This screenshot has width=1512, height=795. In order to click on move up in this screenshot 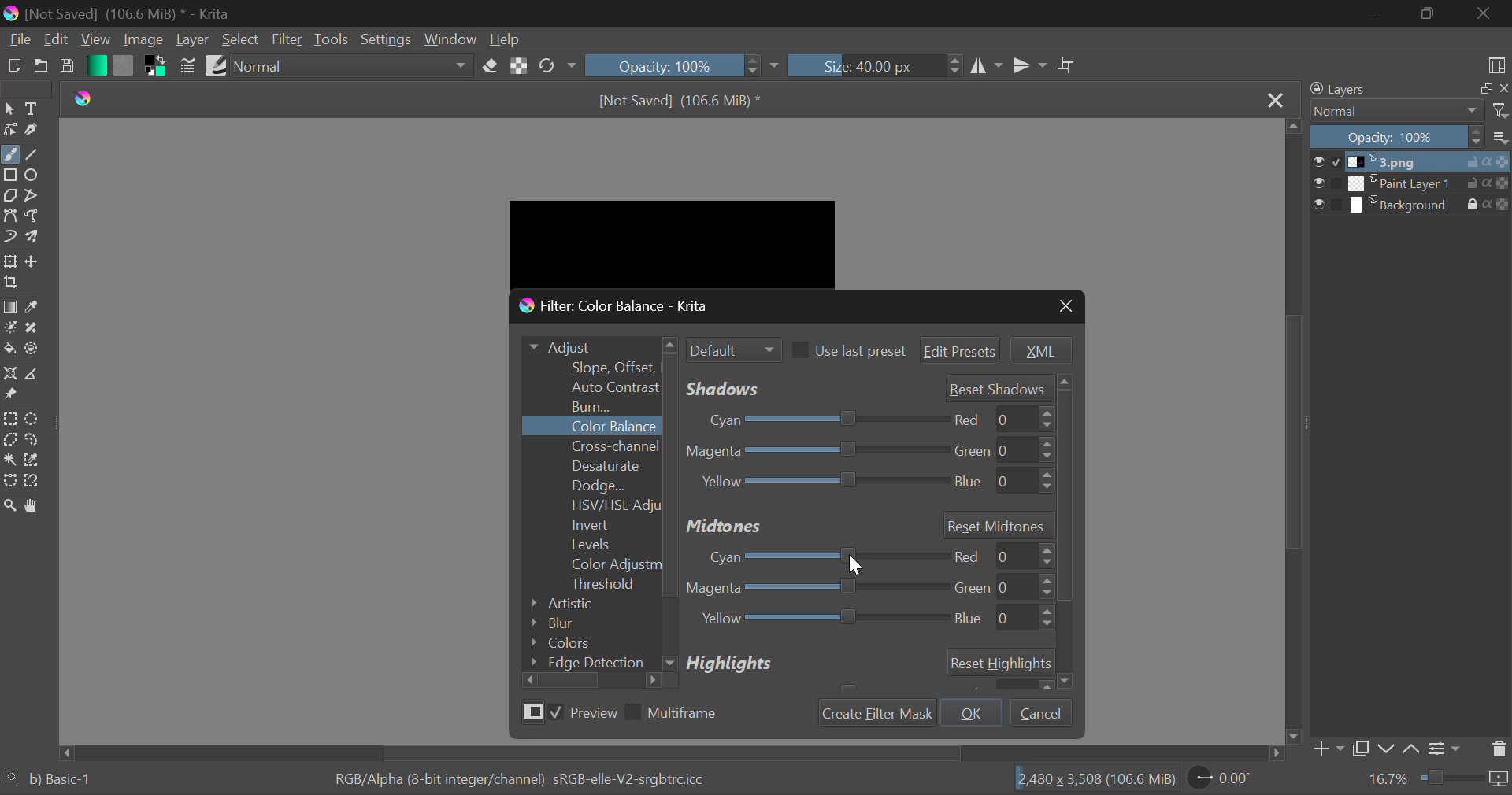, I will do `click(1291, 134)`.